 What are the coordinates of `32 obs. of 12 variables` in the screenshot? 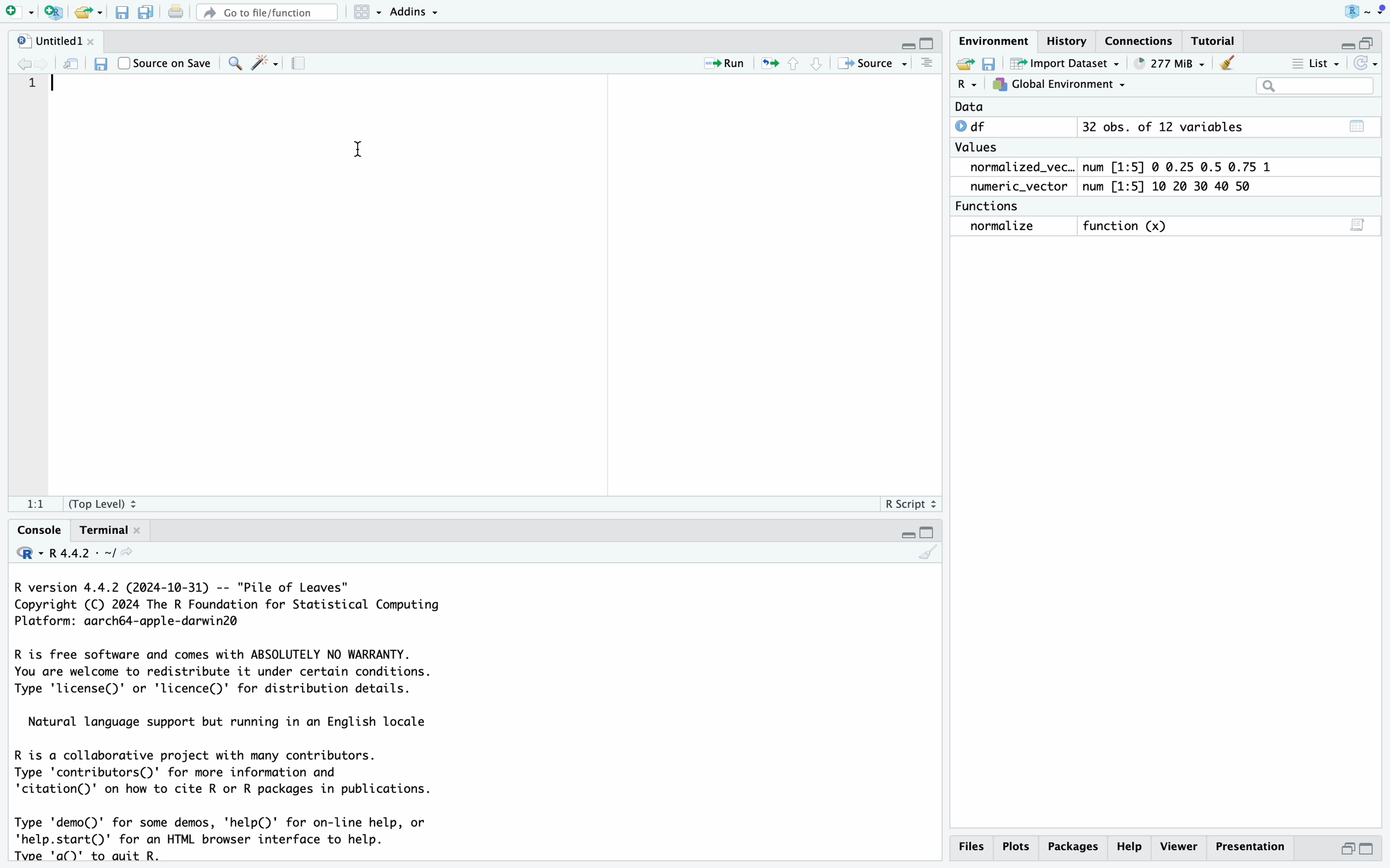 It's located at (1227, 130).